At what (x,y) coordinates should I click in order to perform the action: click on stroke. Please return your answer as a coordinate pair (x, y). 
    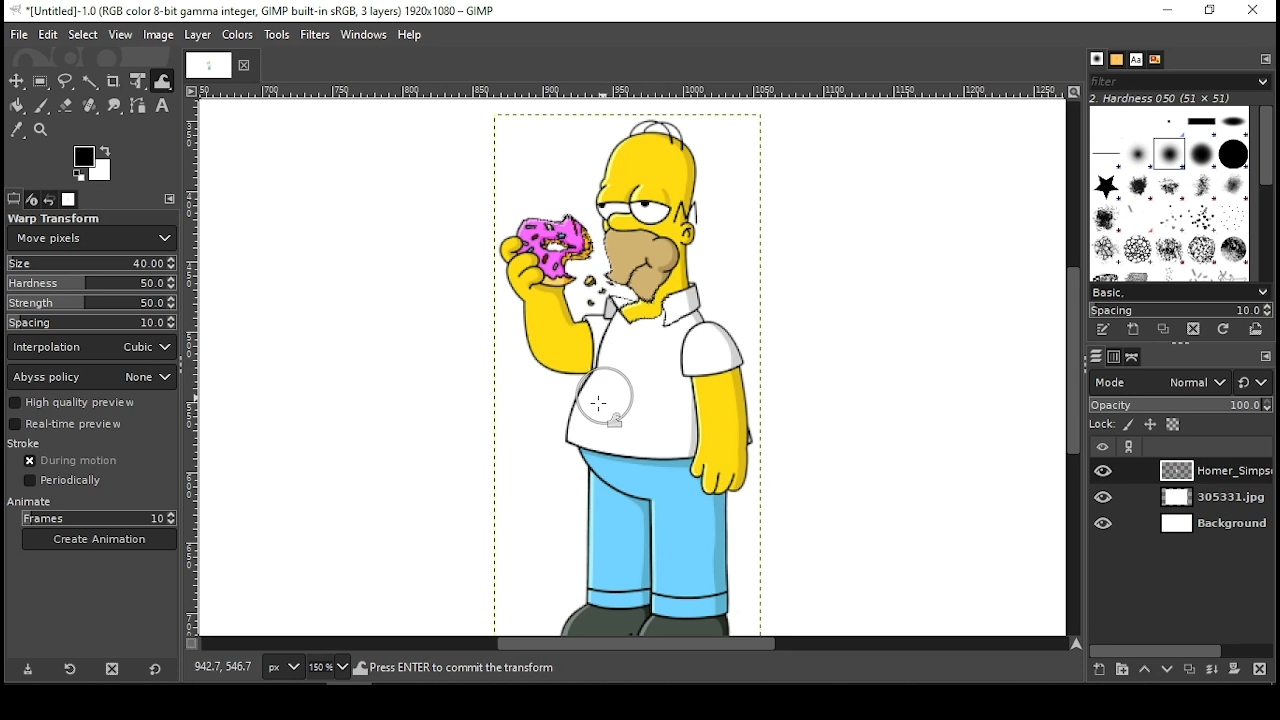
    Looking at the image, I should click on (36, 444).